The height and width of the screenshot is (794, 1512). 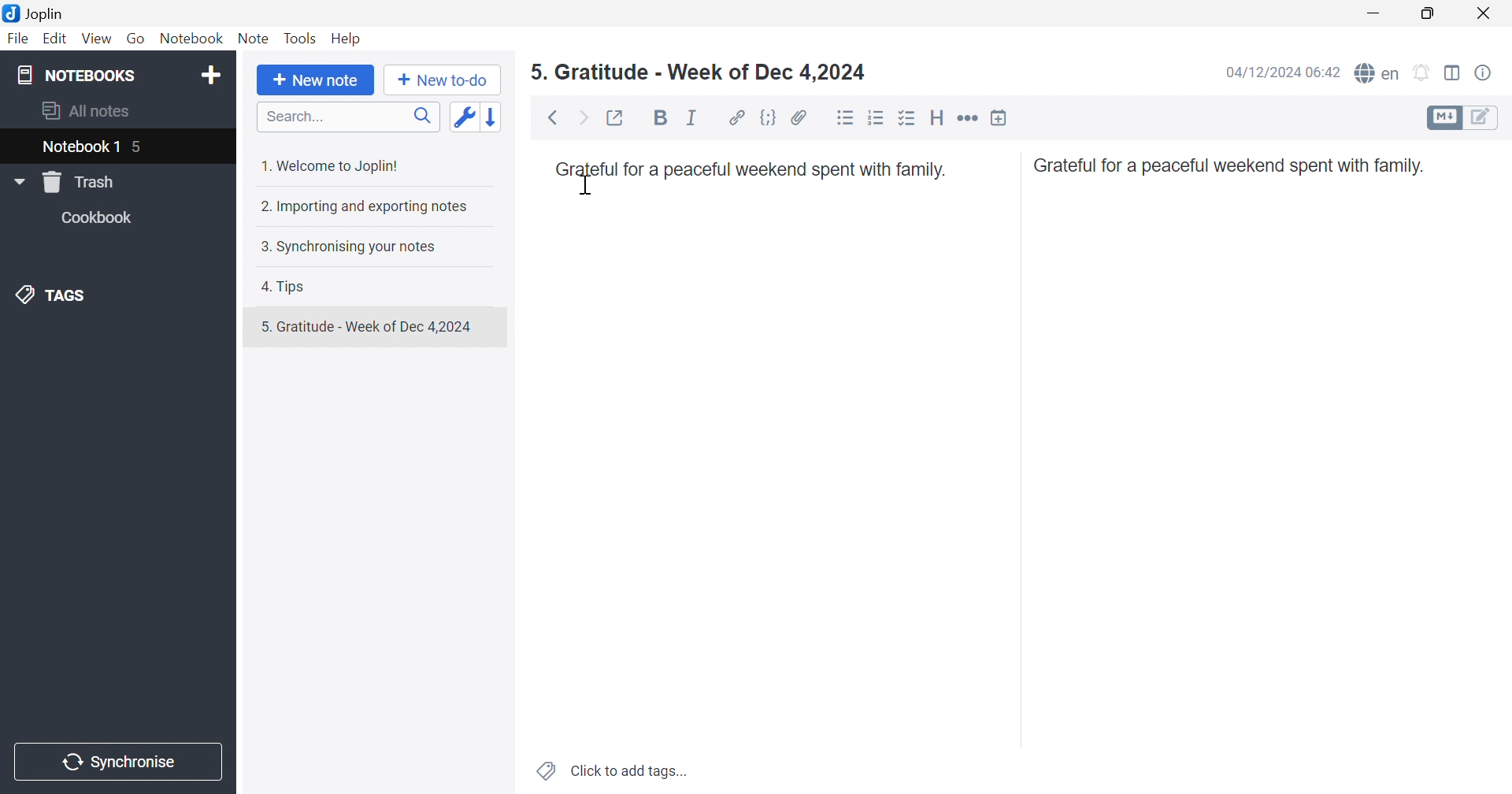 I want to click on View, so click(x=96, y=40).